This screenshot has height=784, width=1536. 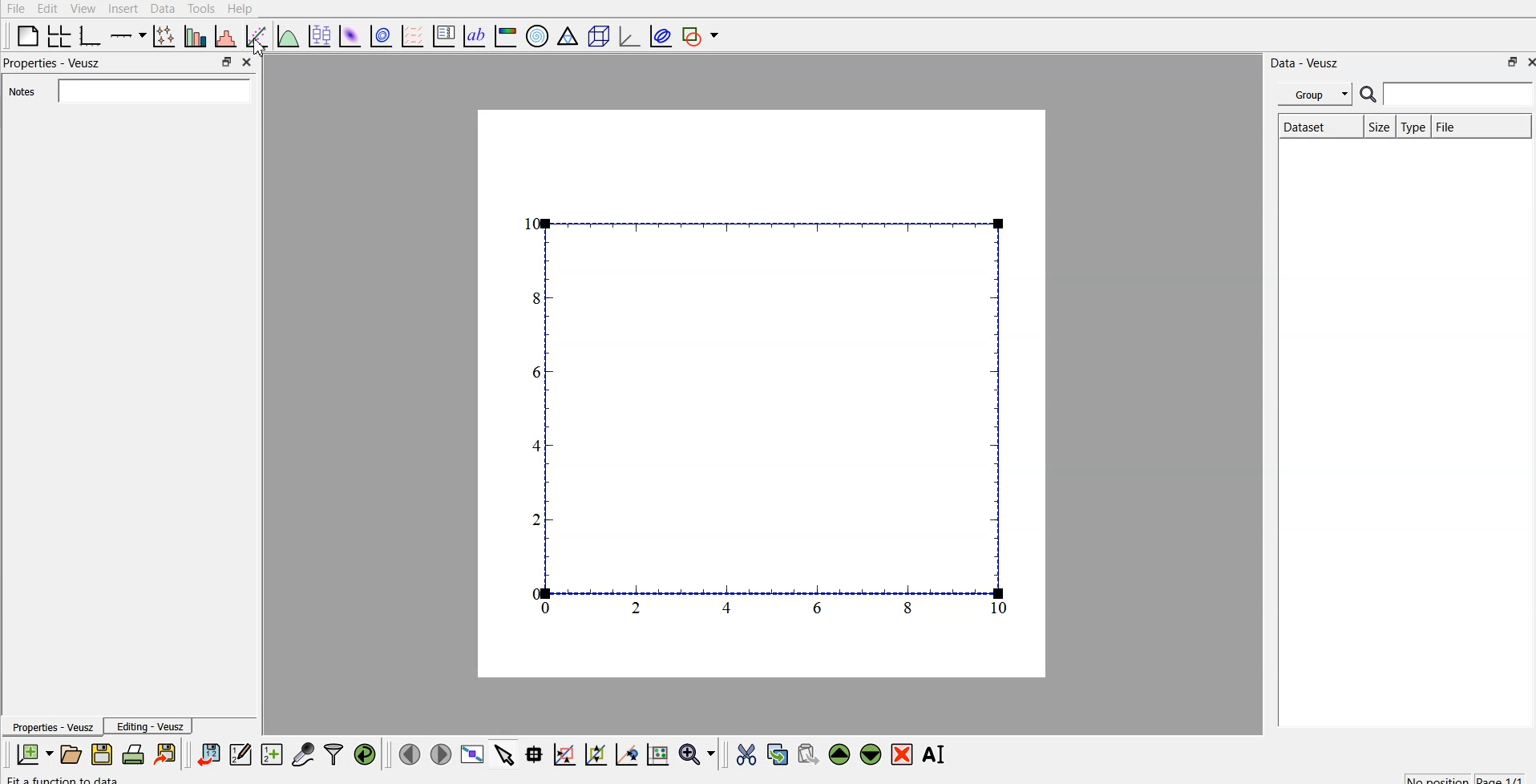 What do you see at coordinates (224, 63) in the screenshot?
I see `restore down` at bounding box center [224, 63].